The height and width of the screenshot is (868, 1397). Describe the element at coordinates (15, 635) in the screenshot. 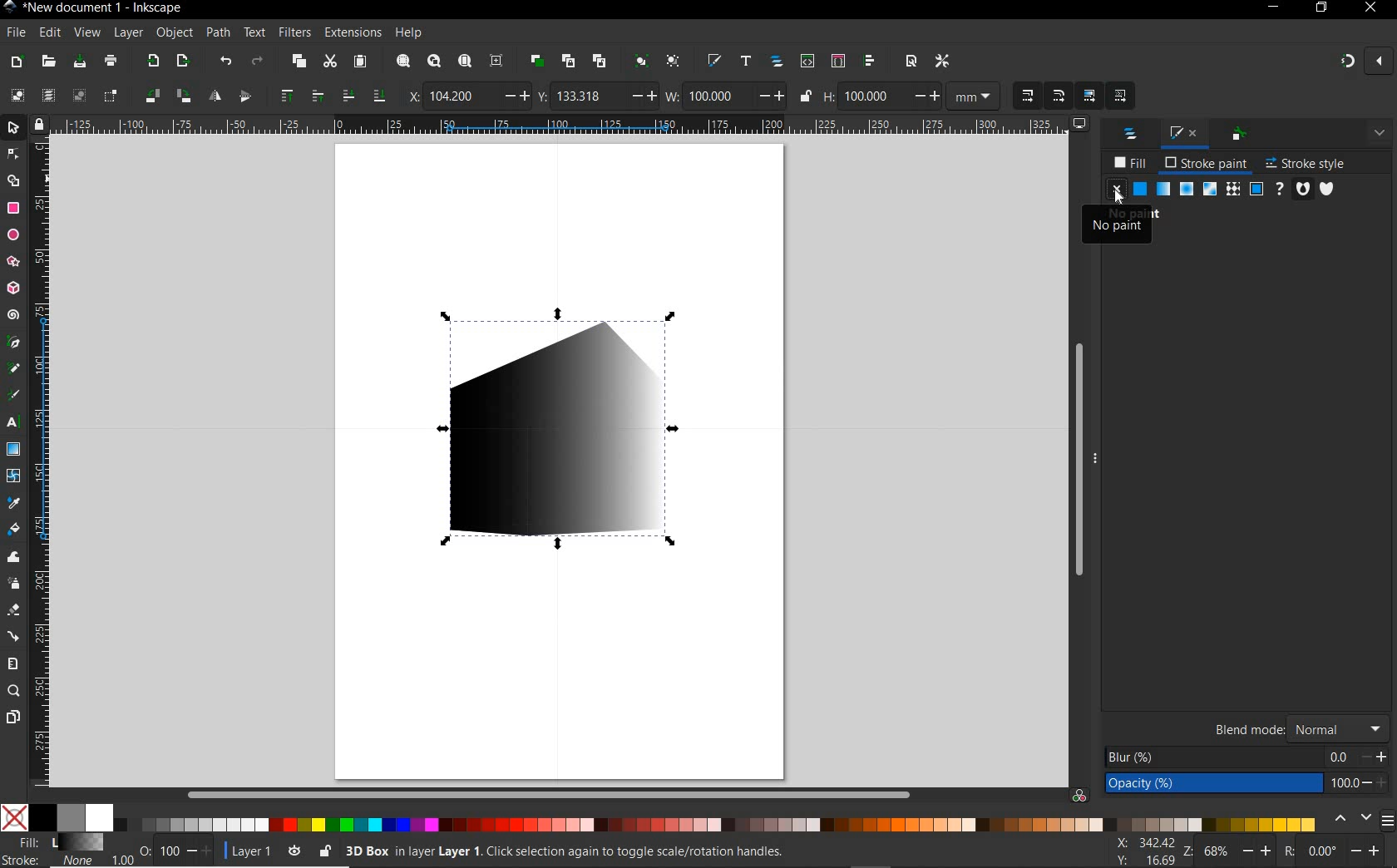

I see `CONNECTOR TOOL` at that location.